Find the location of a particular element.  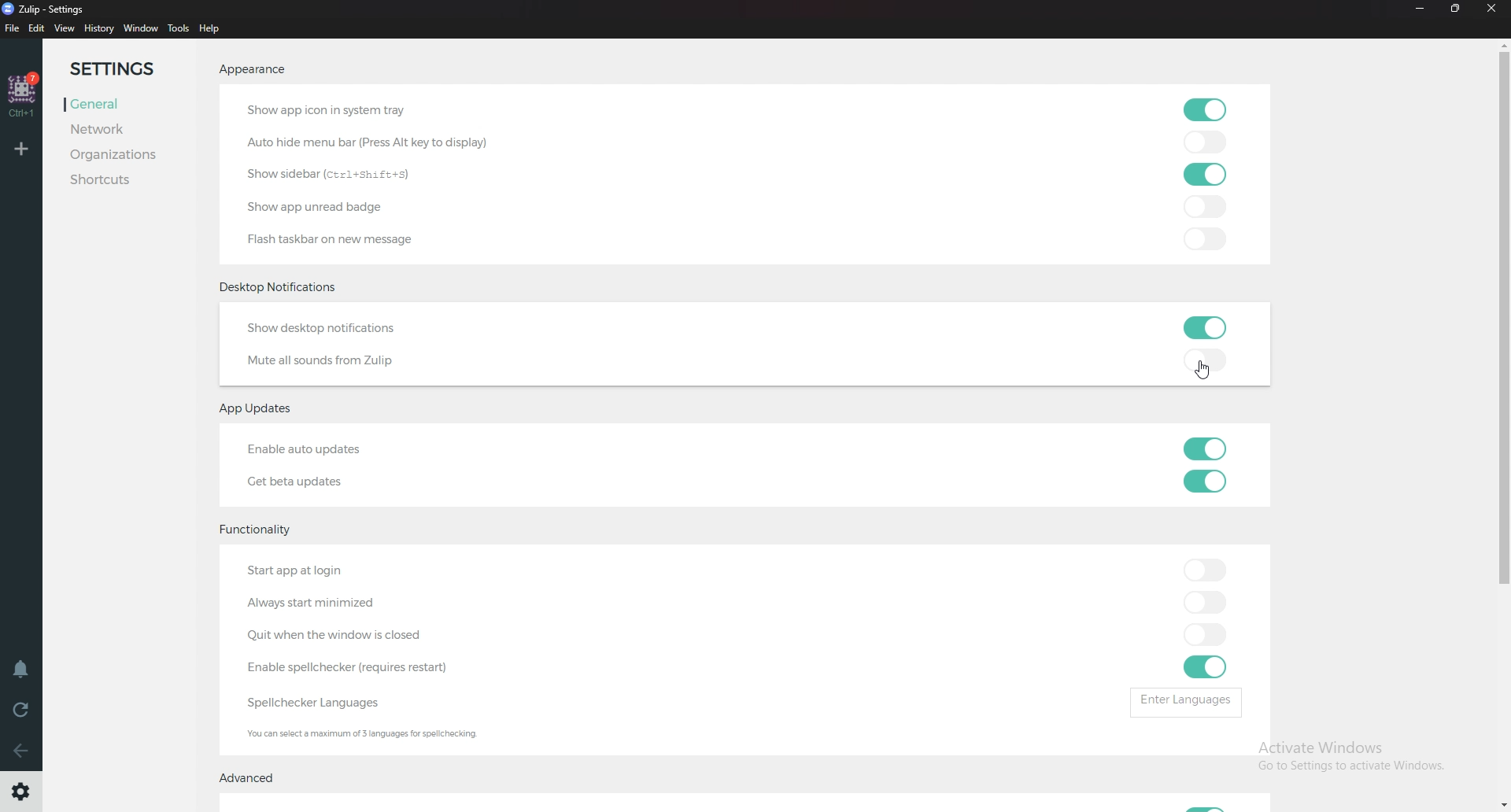

toggle is located at coordinates (1204, 481).